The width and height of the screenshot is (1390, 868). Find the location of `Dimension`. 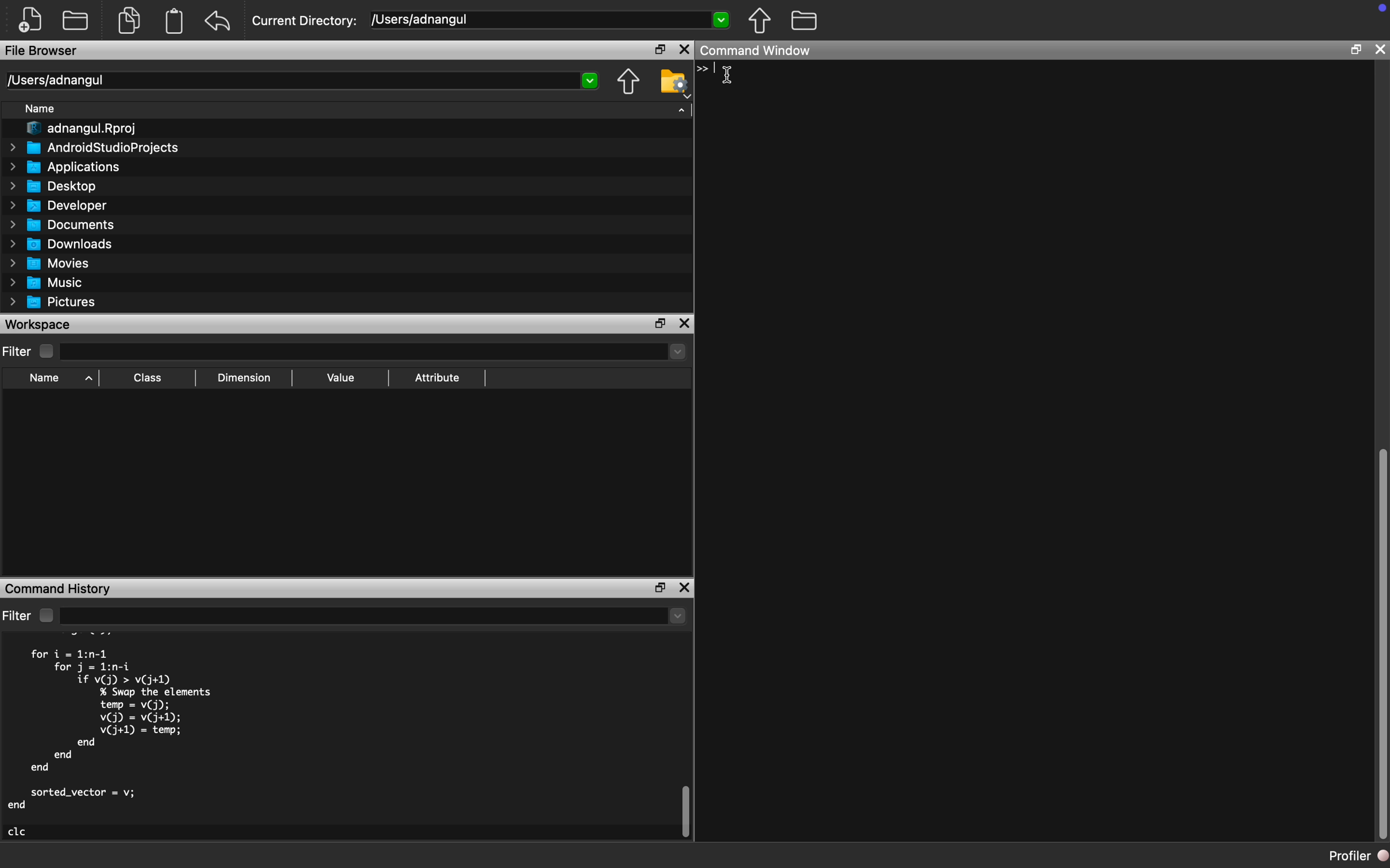

Dimension is located at coordinates (242, 378).